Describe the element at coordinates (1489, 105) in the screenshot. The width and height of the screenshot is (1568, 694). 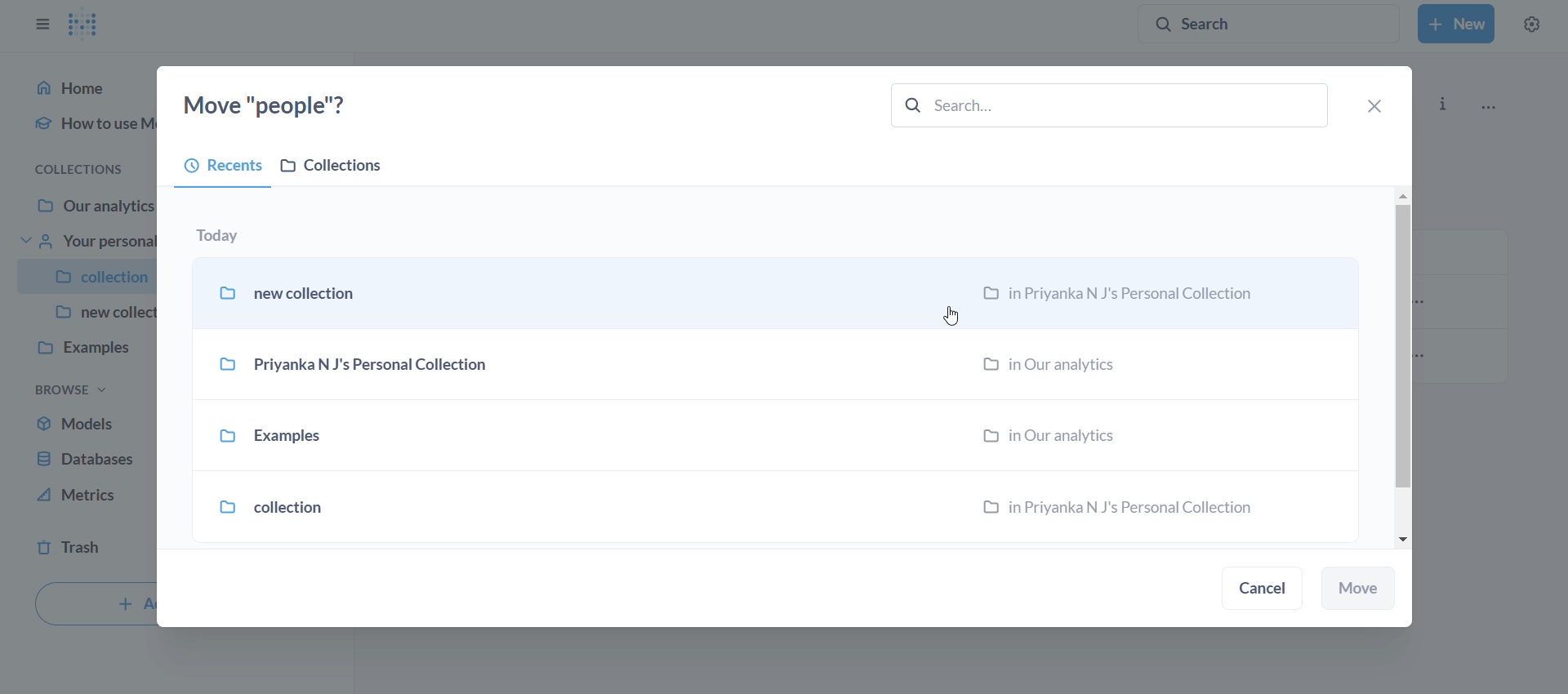
I see `more options` at that location.